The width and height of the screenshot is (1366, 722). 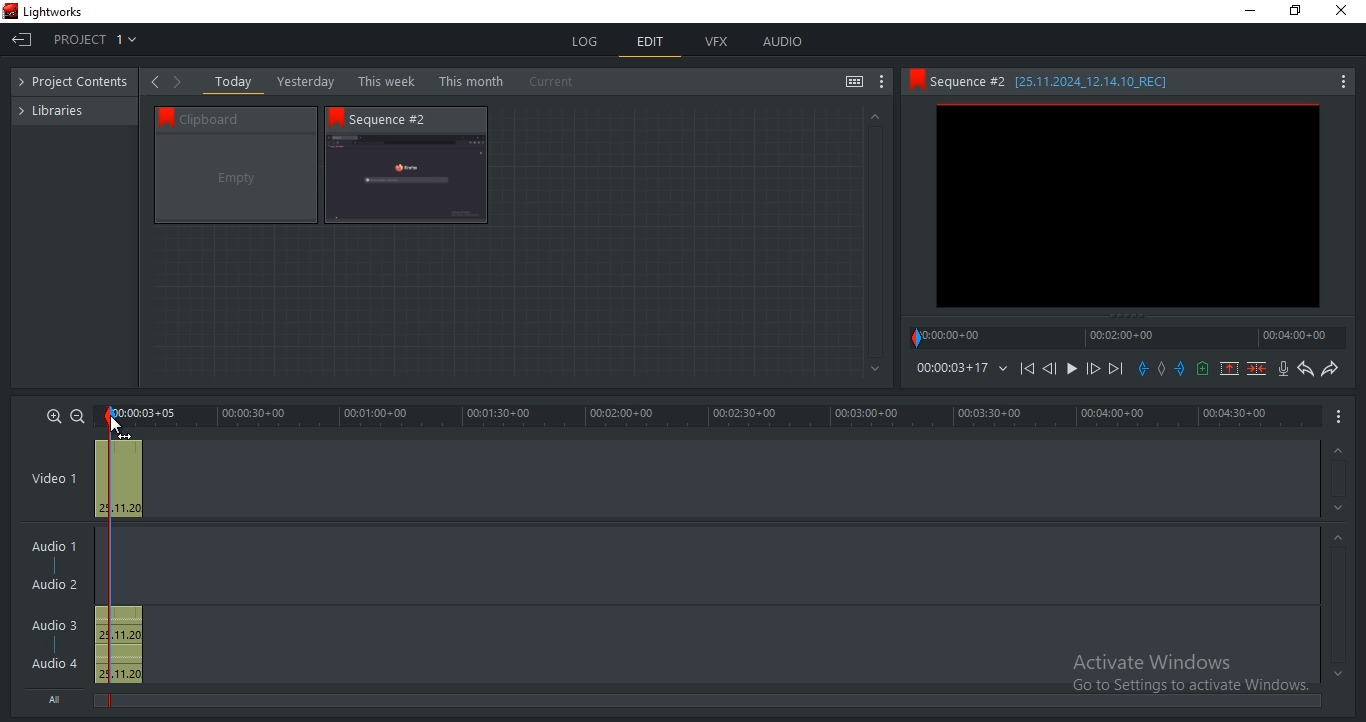 I want to click on timeline, so click(x=1128, y=337).